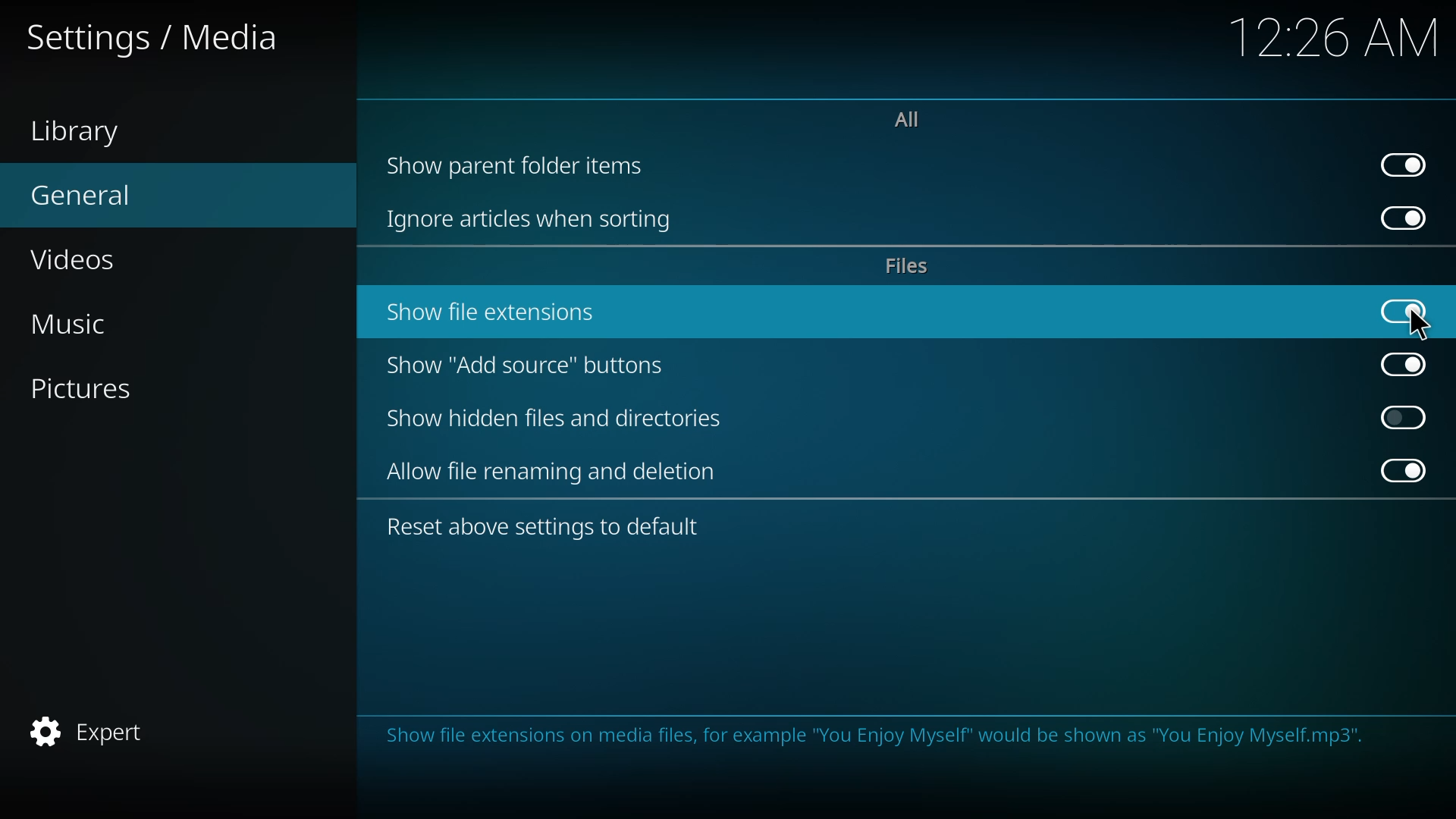 The height and width of the screenshot is (819, 1456). I want to click on enabled, so click(1406, 364).